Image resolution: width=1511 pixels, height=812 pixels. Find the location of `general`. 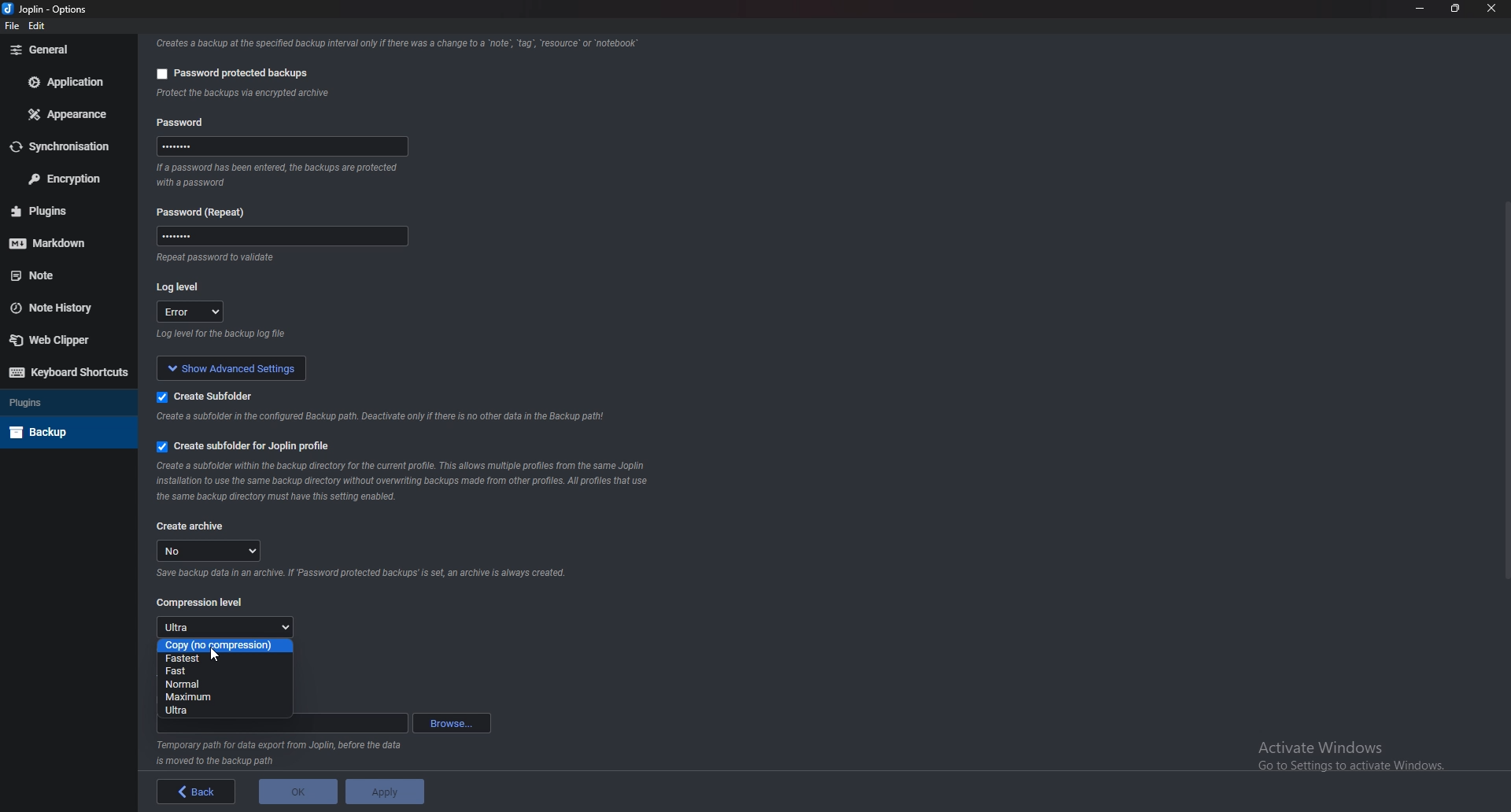

general is located at coordinates (64, 50).